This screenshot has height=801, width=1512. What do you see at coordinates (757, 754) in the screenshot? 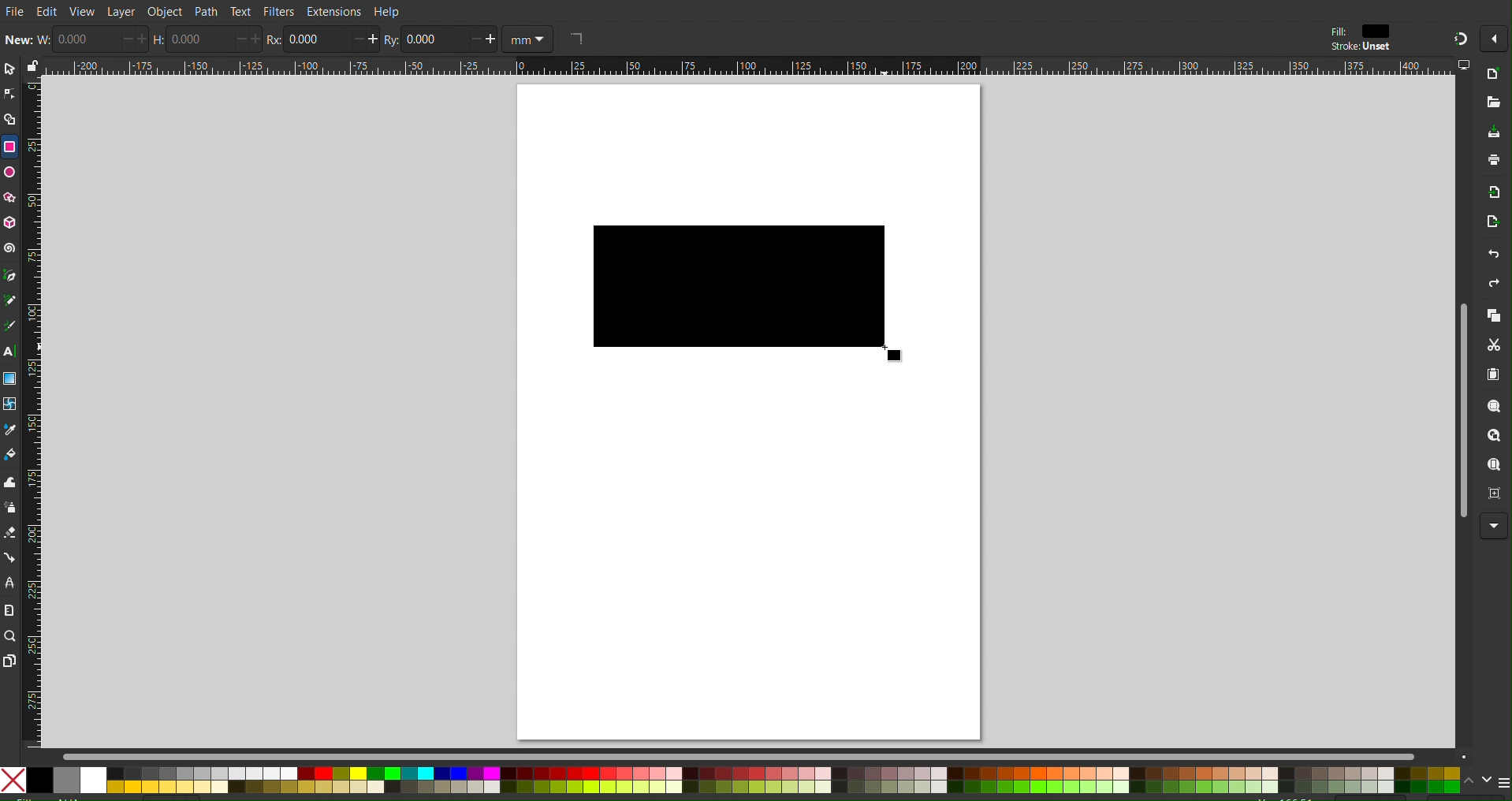
I see `Scrollbar` at bounding box center [757, 754].